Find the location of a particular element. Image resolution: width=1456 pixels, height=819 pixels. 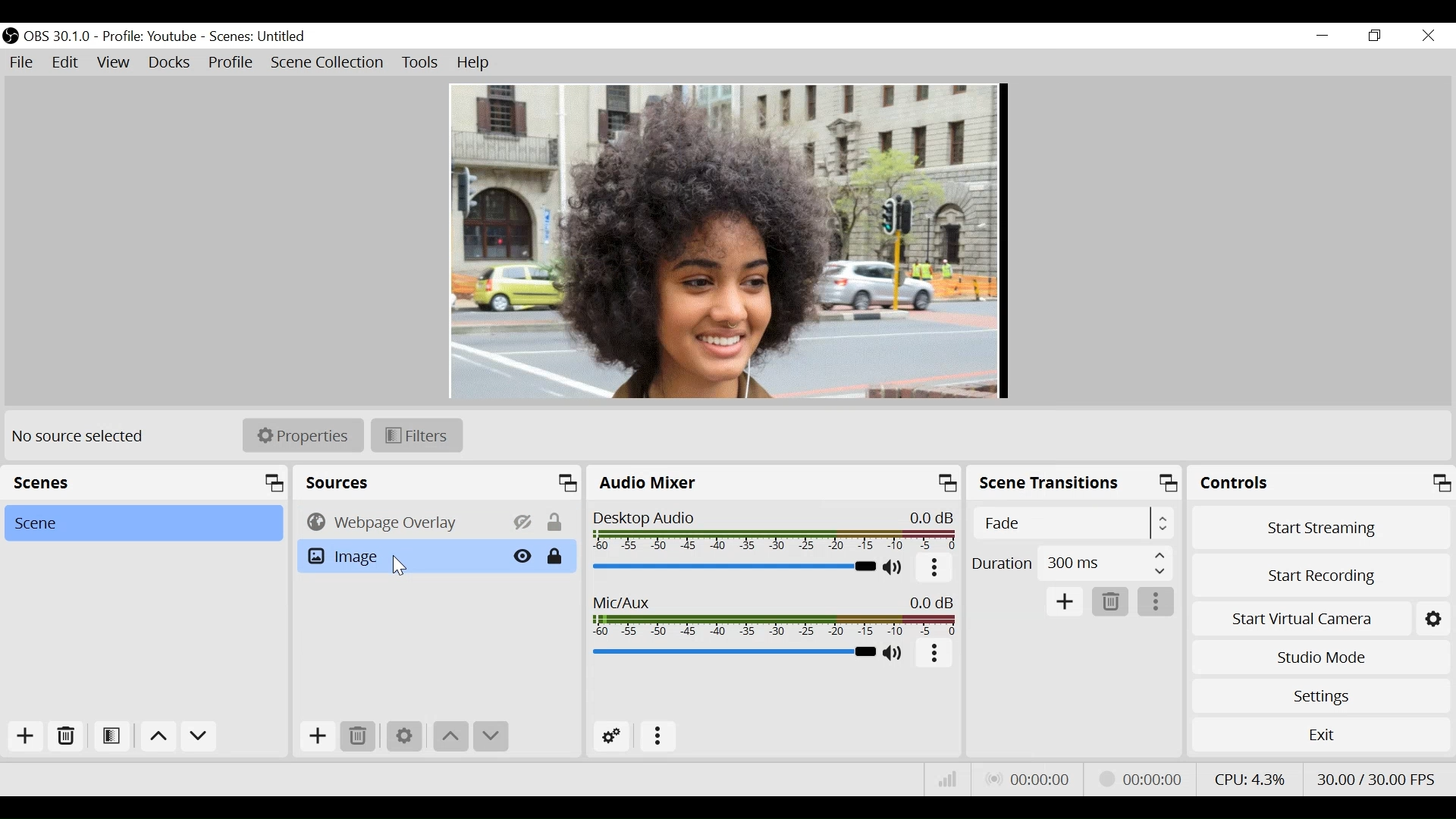

Move Up is located at coordinates (452, 737).